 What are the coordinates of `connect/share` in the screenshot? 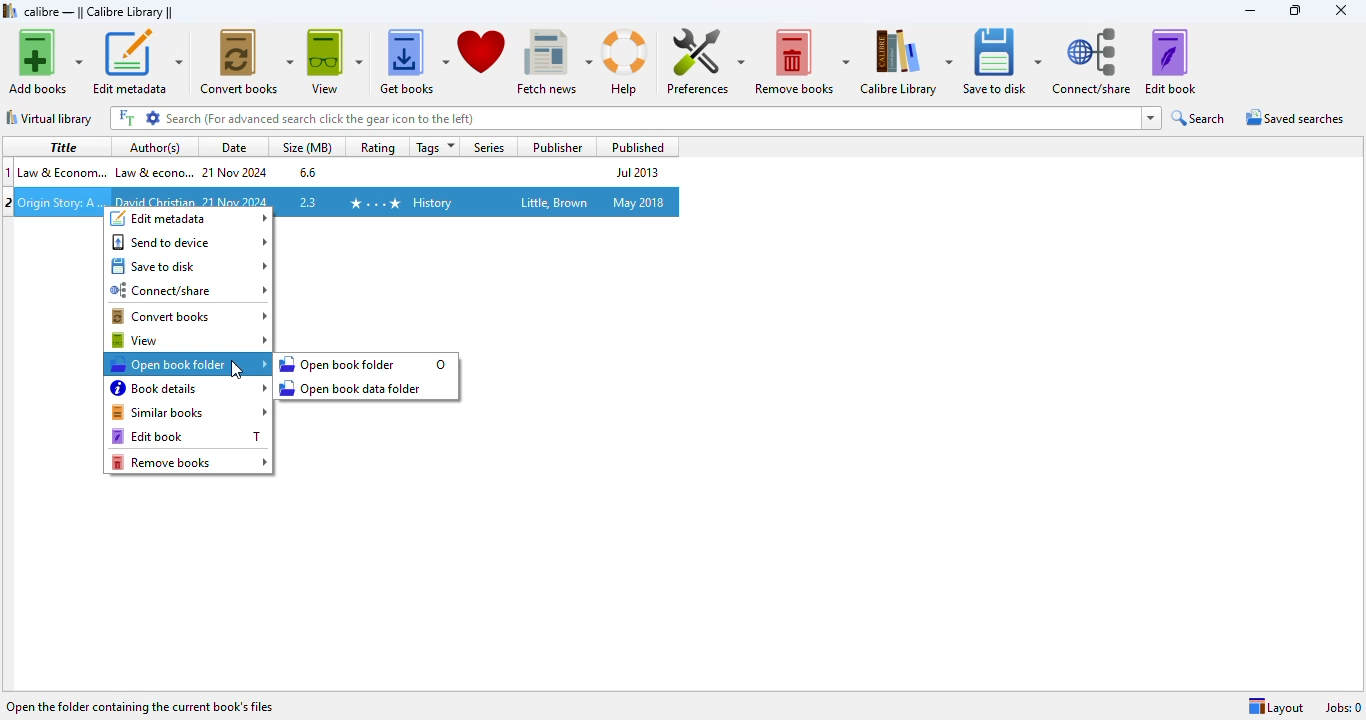 It's located at (1092, 62).